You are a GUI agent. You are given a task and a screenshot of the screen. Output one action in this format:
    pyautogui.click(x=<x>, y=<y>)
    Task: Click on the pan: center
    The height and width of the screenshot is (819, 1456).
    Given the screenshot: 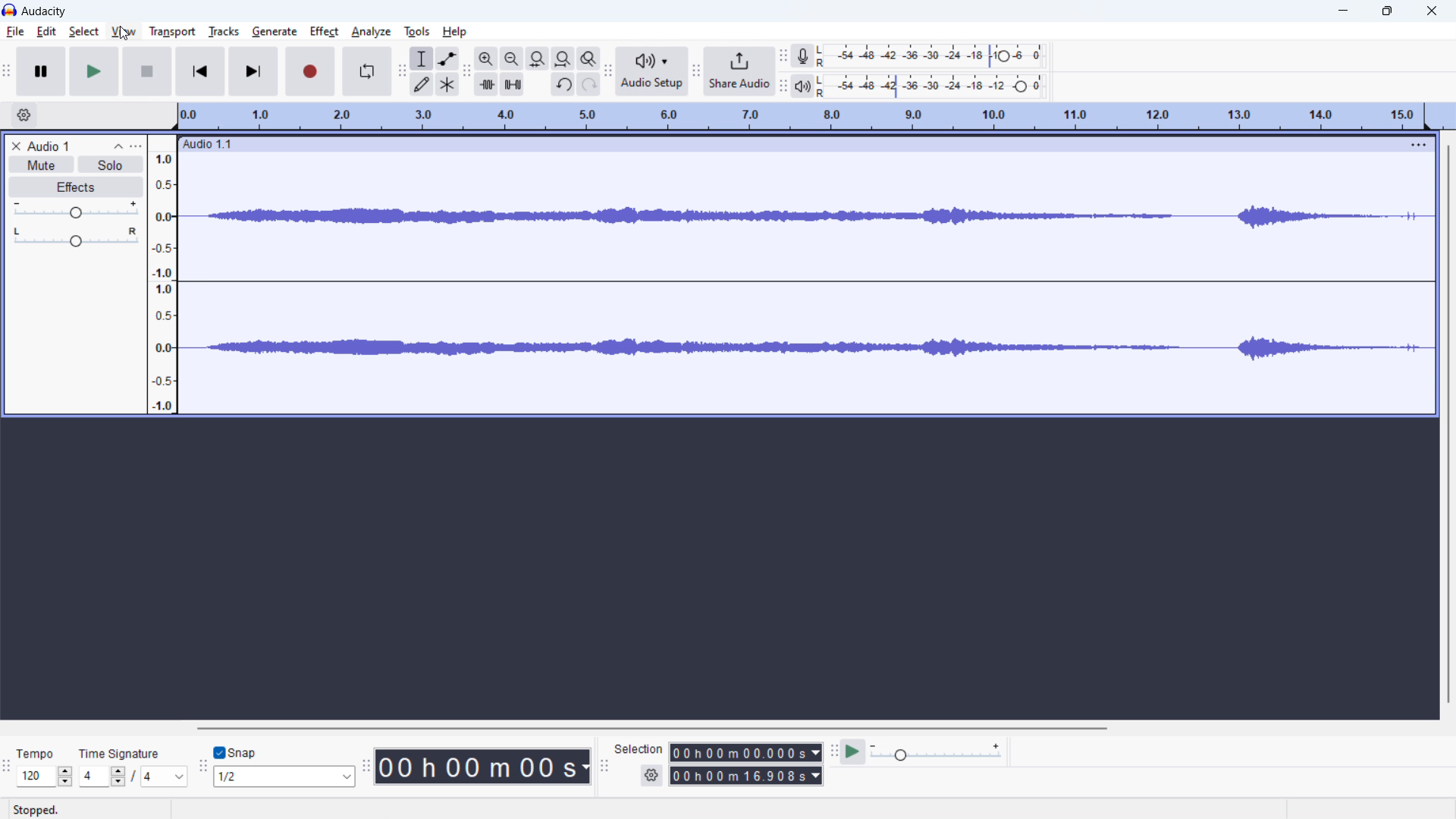 What is the action you would take?
    pyautogui.click(x=77, y=237)
    